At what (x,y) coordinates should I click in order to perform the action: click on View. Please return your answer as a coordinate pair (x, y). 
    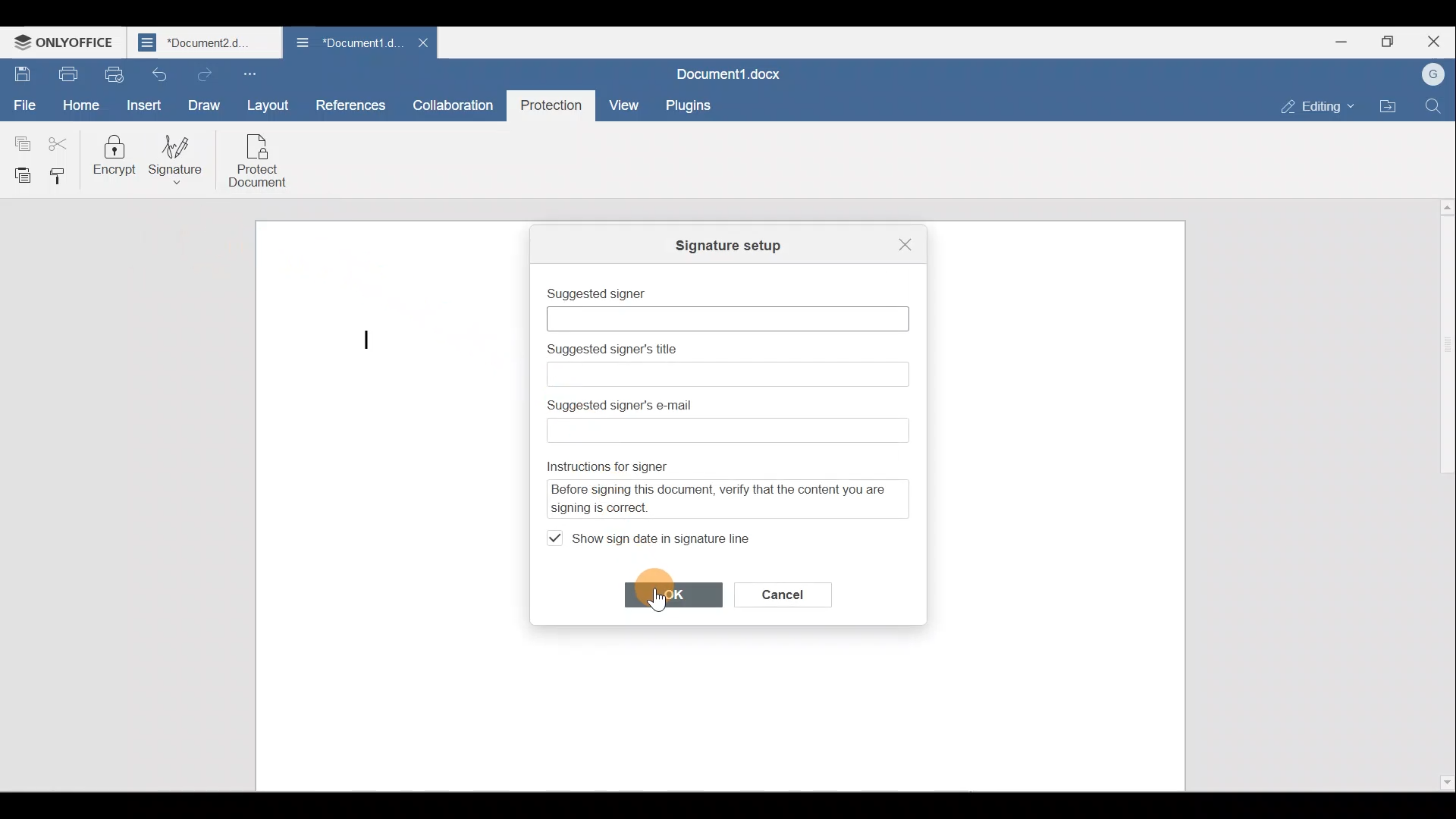
    Looking at the image, I should click on (626, 104).